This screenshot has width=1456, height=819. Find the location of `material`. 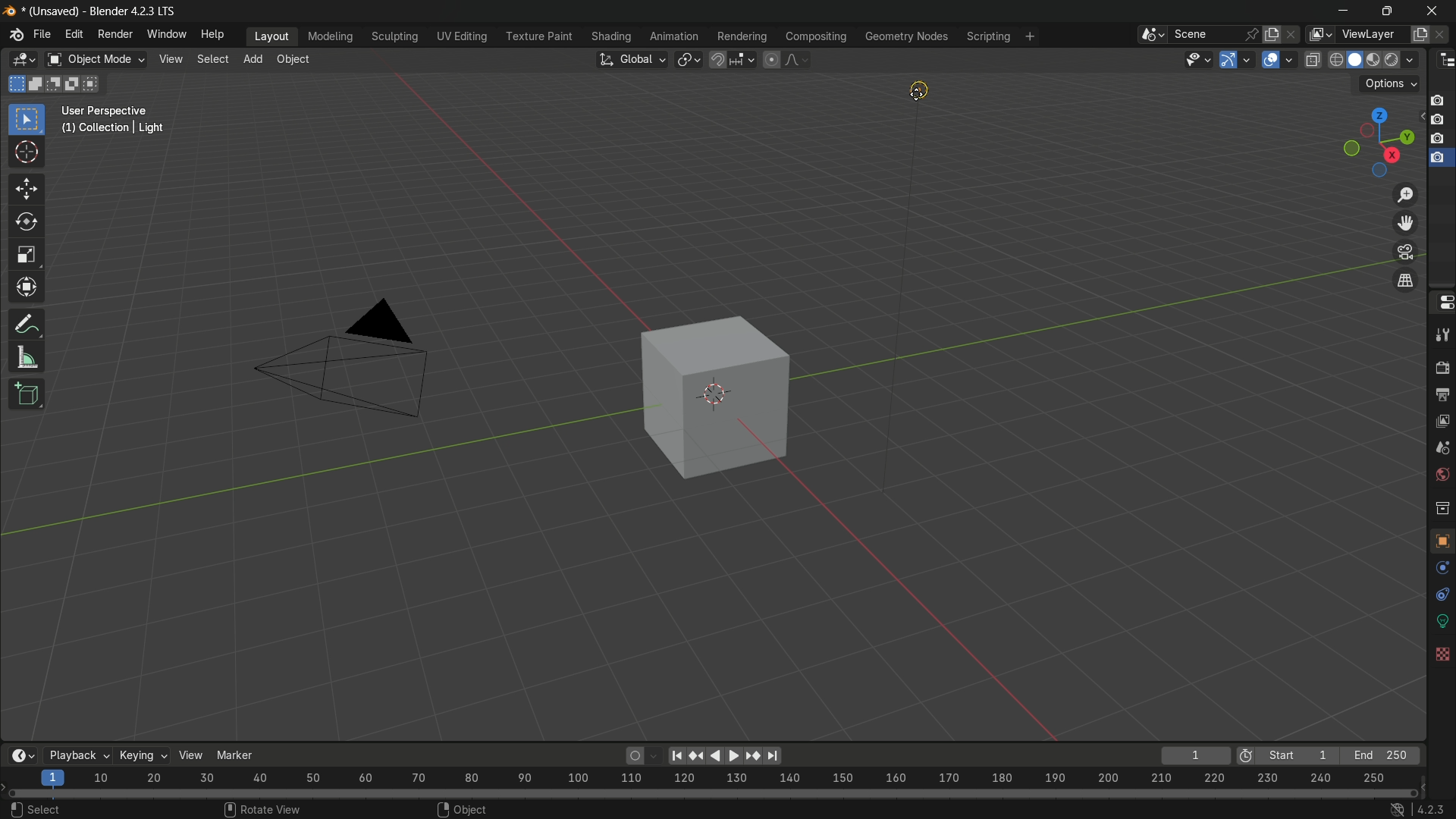

material is located at coordinates (1439, 702).